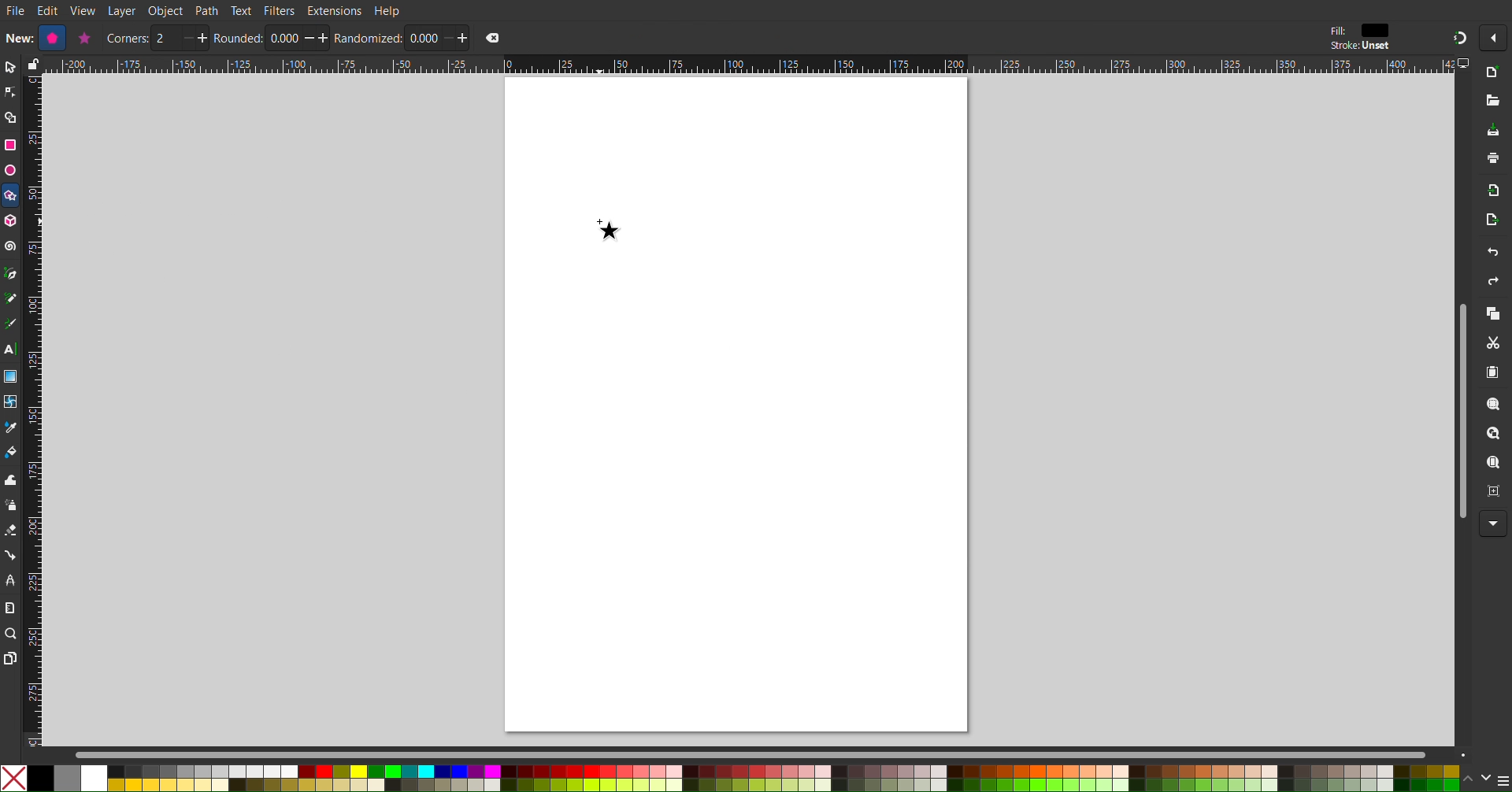  I want to click on Spray Tool, so click(10, 505).